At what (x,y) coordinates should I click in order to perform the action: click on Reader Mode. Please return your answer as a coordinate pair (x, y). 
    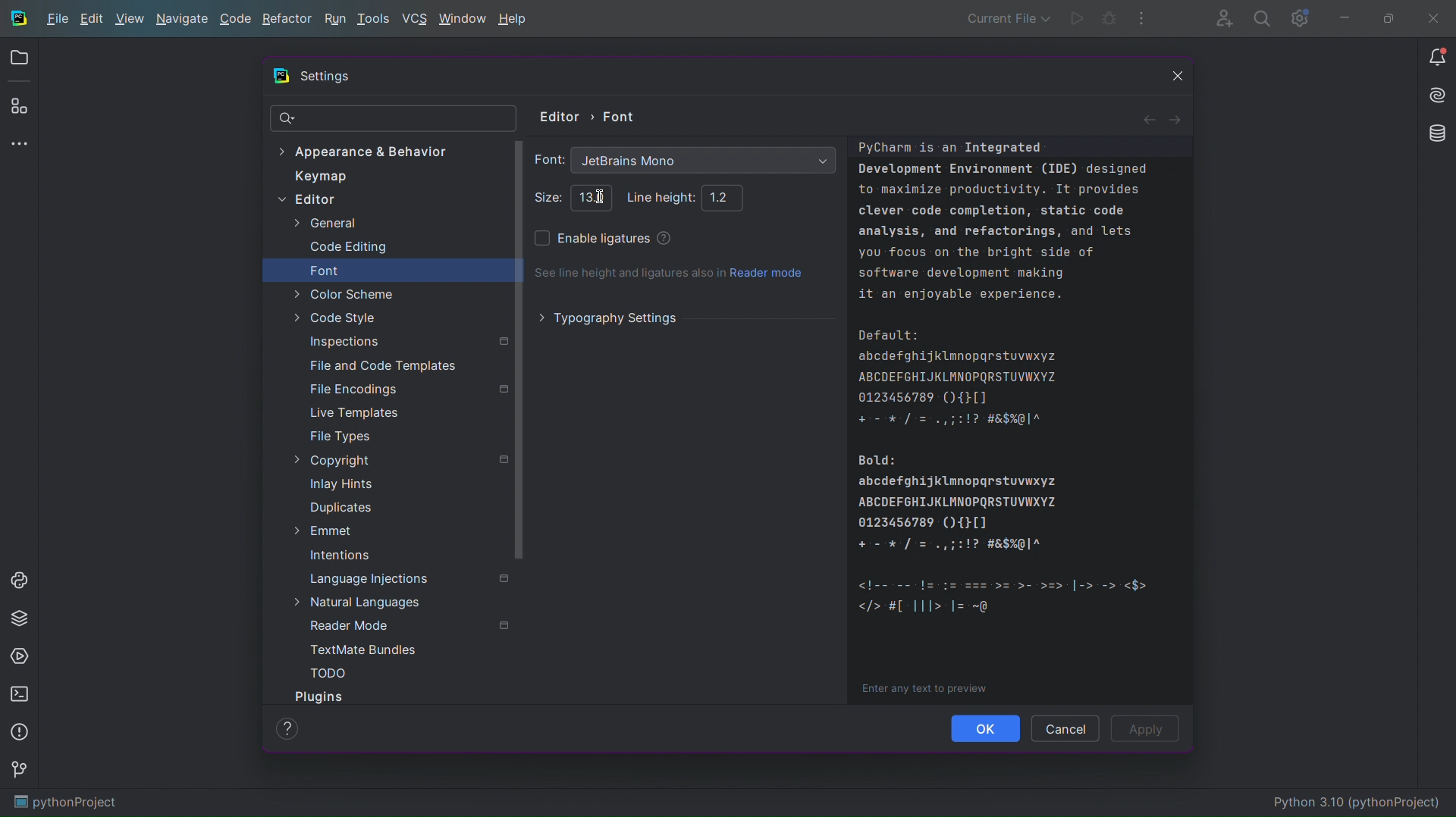
    Looking at the image, I should click on (409, 625).